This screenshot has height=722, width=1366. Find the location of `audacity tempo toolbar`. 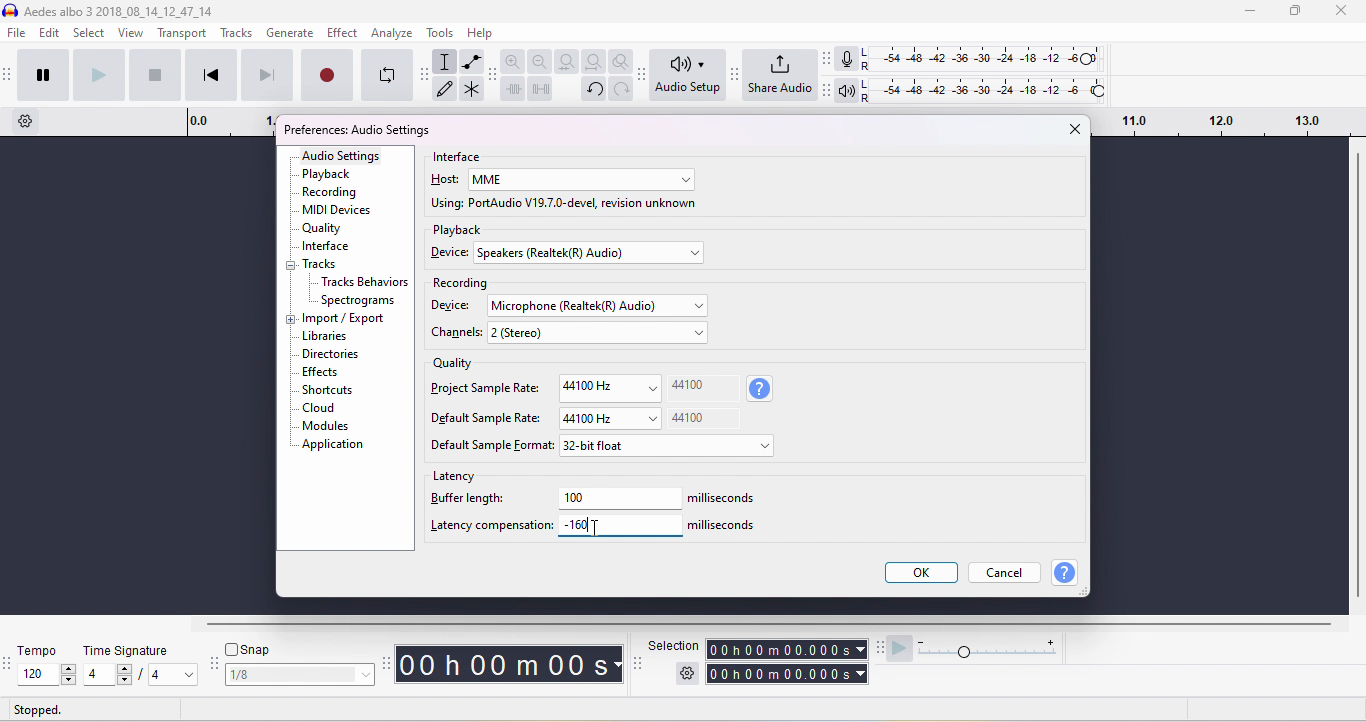

audacity tempo toolbar is located at coordinates (9, 665).